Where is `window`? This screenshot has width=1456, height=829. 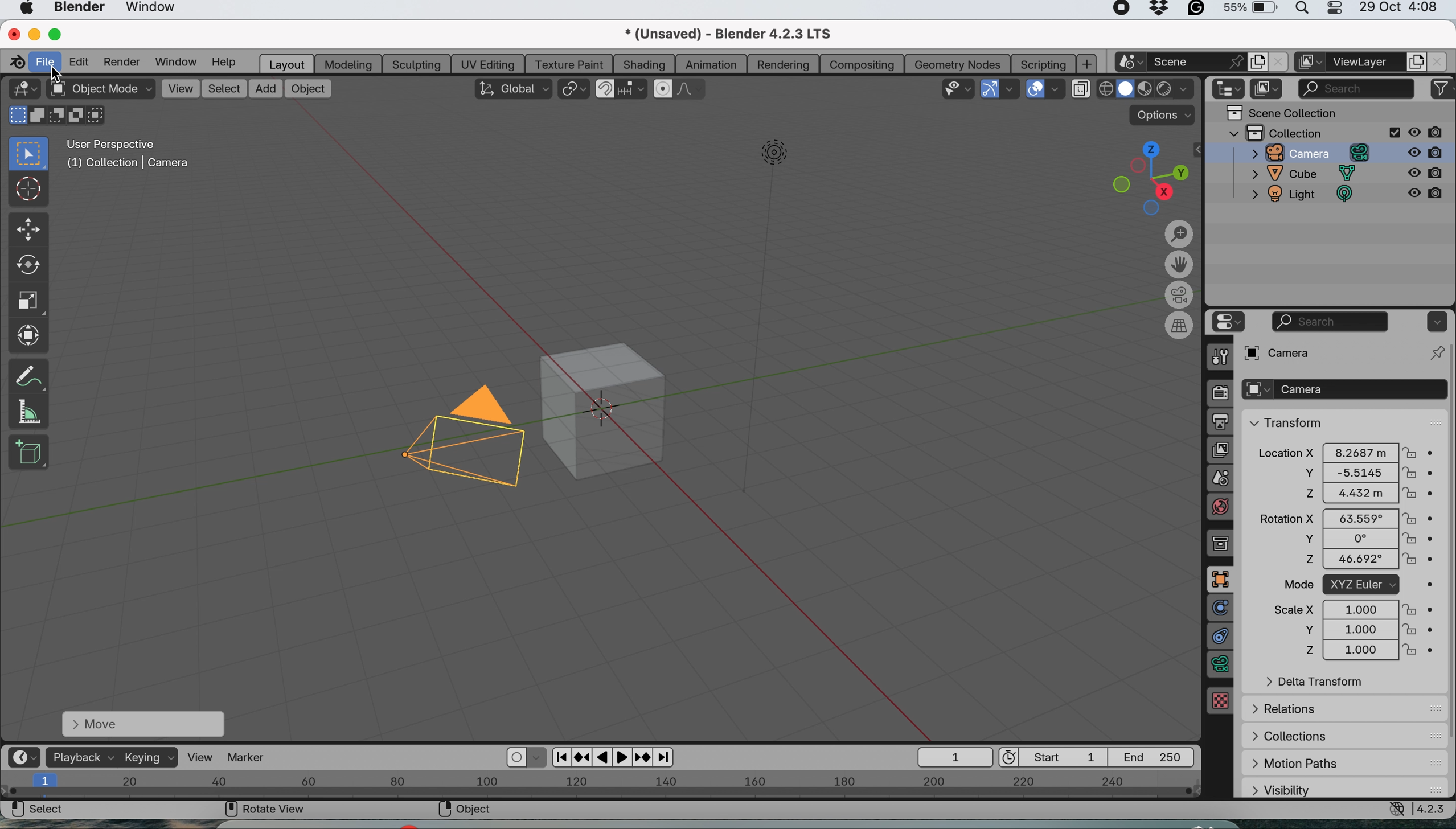
window is located at coordinates (151, 9).